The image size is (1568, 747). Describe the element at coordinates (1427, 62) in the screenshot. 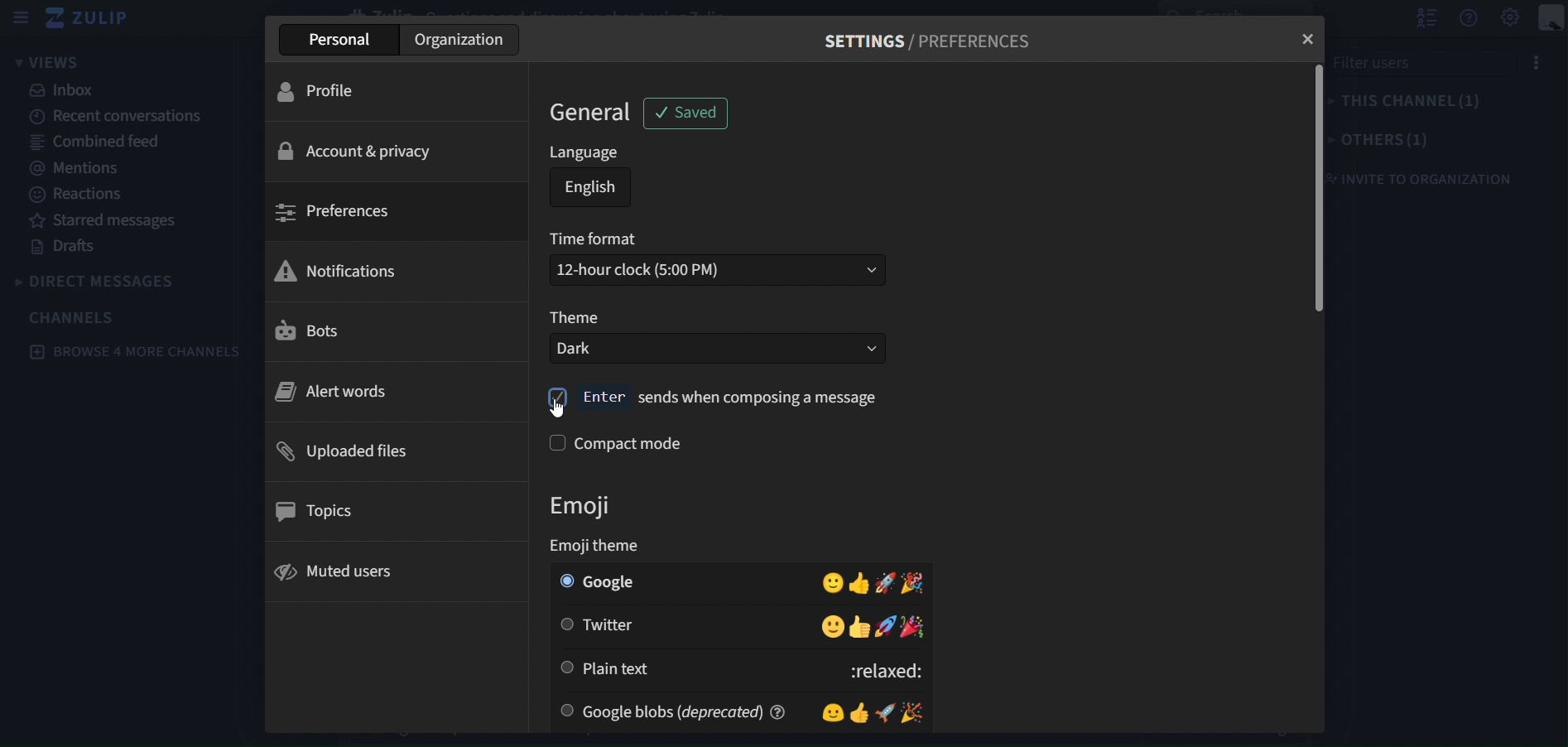

I see `filter users` at that location.